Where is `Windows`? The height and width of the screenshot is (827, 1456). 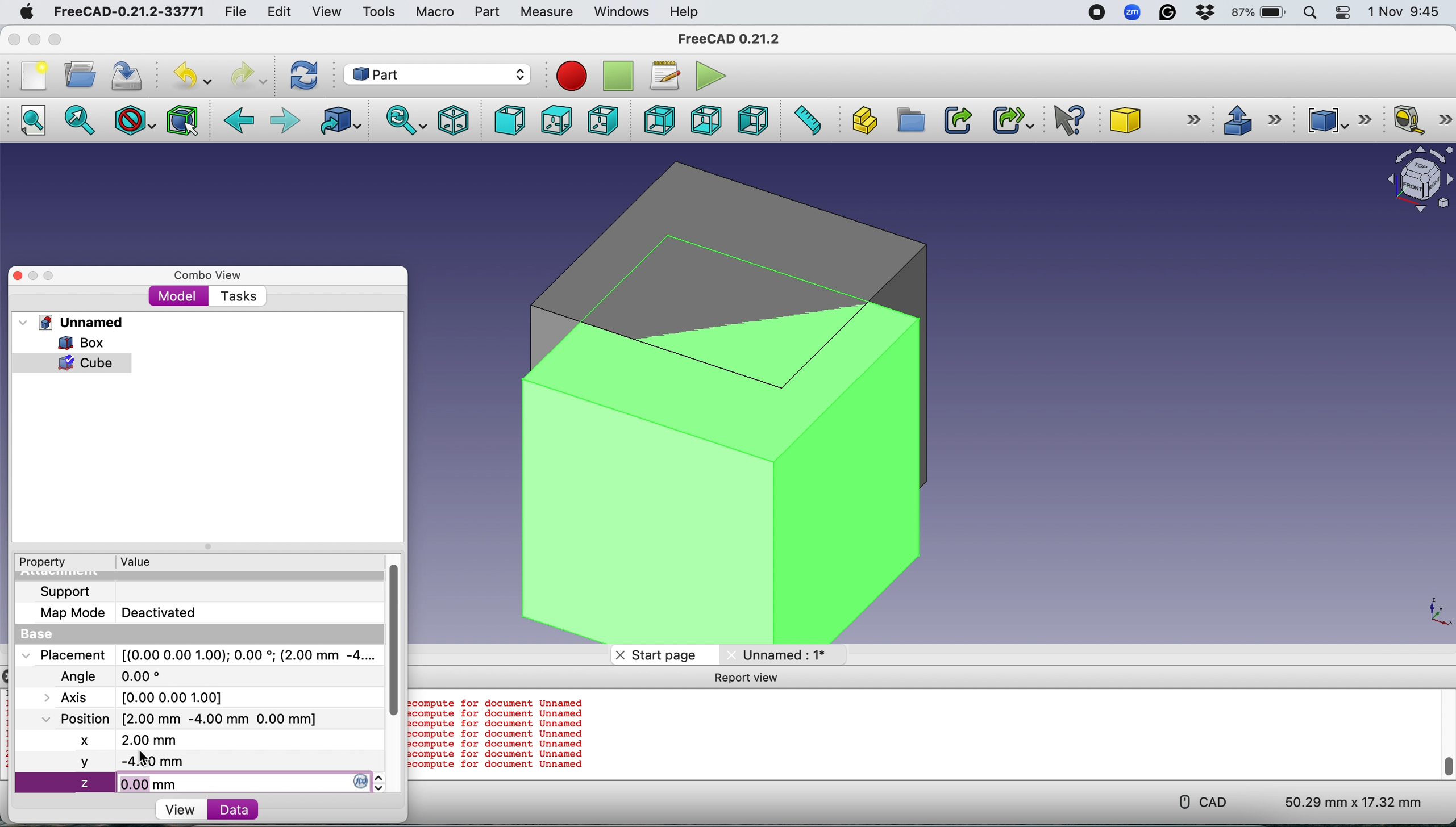
Windows is located at coordinates (622, 12).